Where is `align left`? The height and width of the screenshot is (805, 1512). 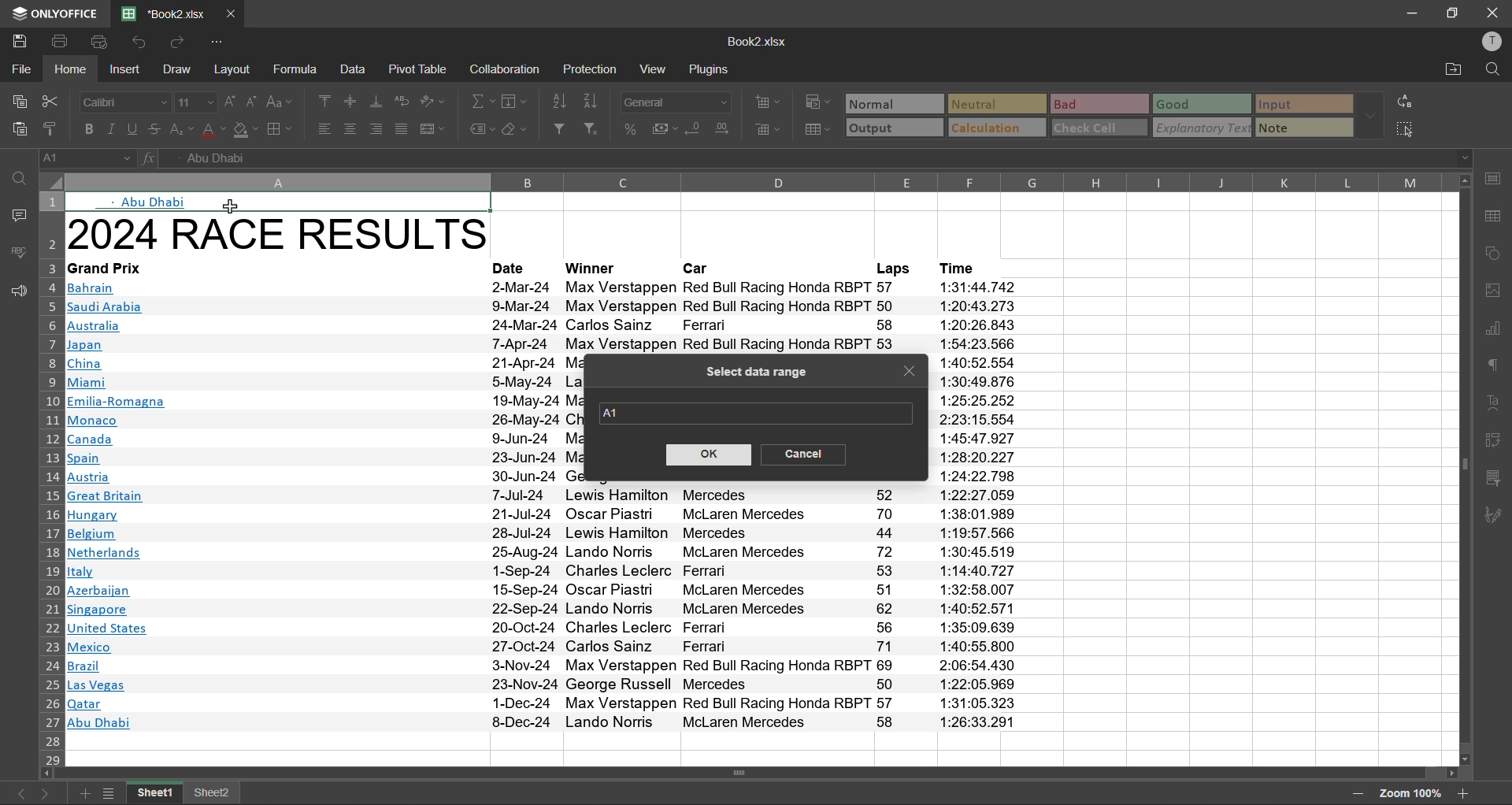
align left is located at coordinates (324, 127).